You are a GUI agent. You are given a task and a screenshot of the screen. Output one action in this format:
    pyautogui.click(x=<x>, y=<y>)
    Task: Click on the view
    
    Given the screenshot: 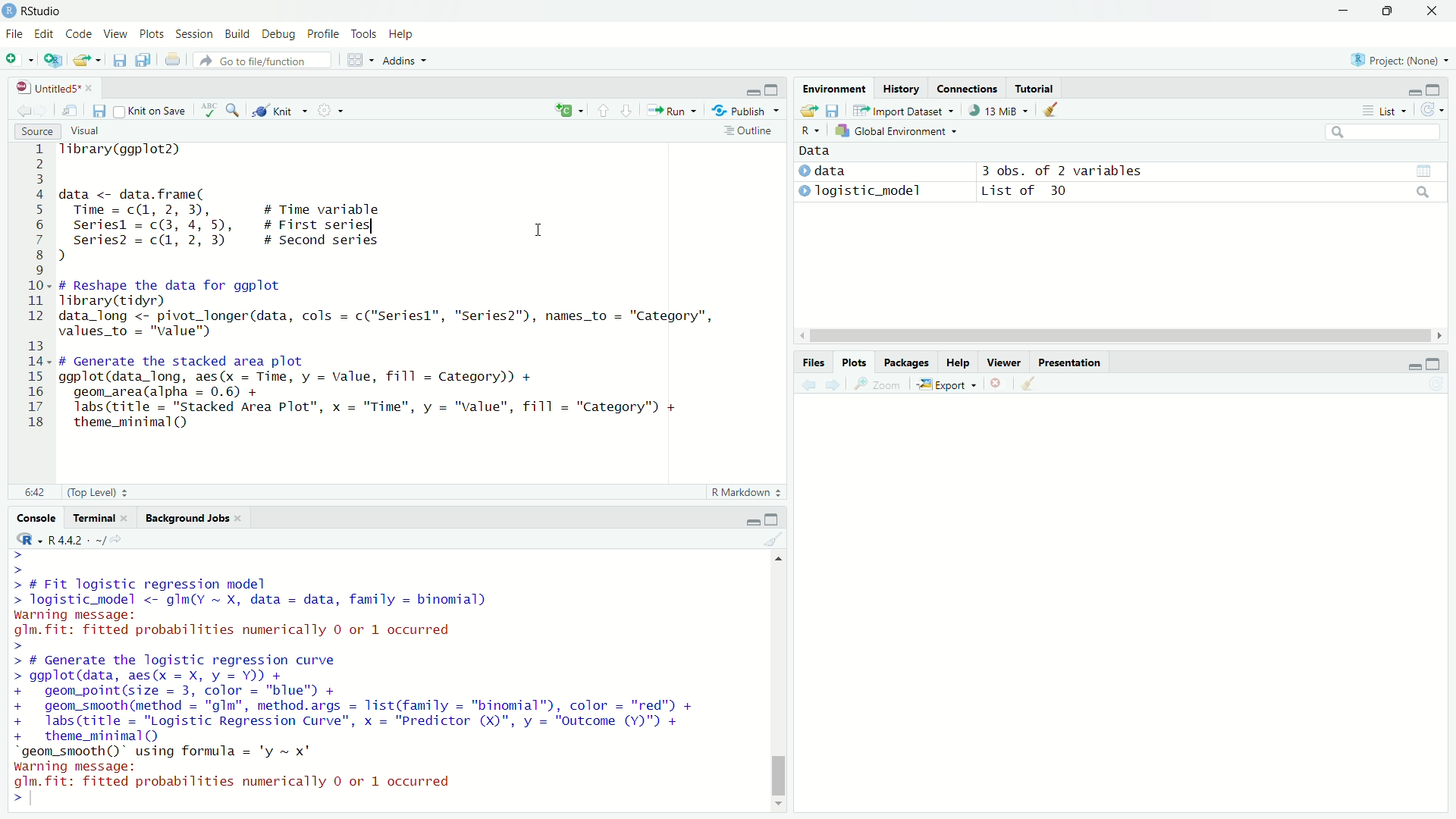 What is the action you would take?
    pyautogui.click(x=1425, y=170)
    